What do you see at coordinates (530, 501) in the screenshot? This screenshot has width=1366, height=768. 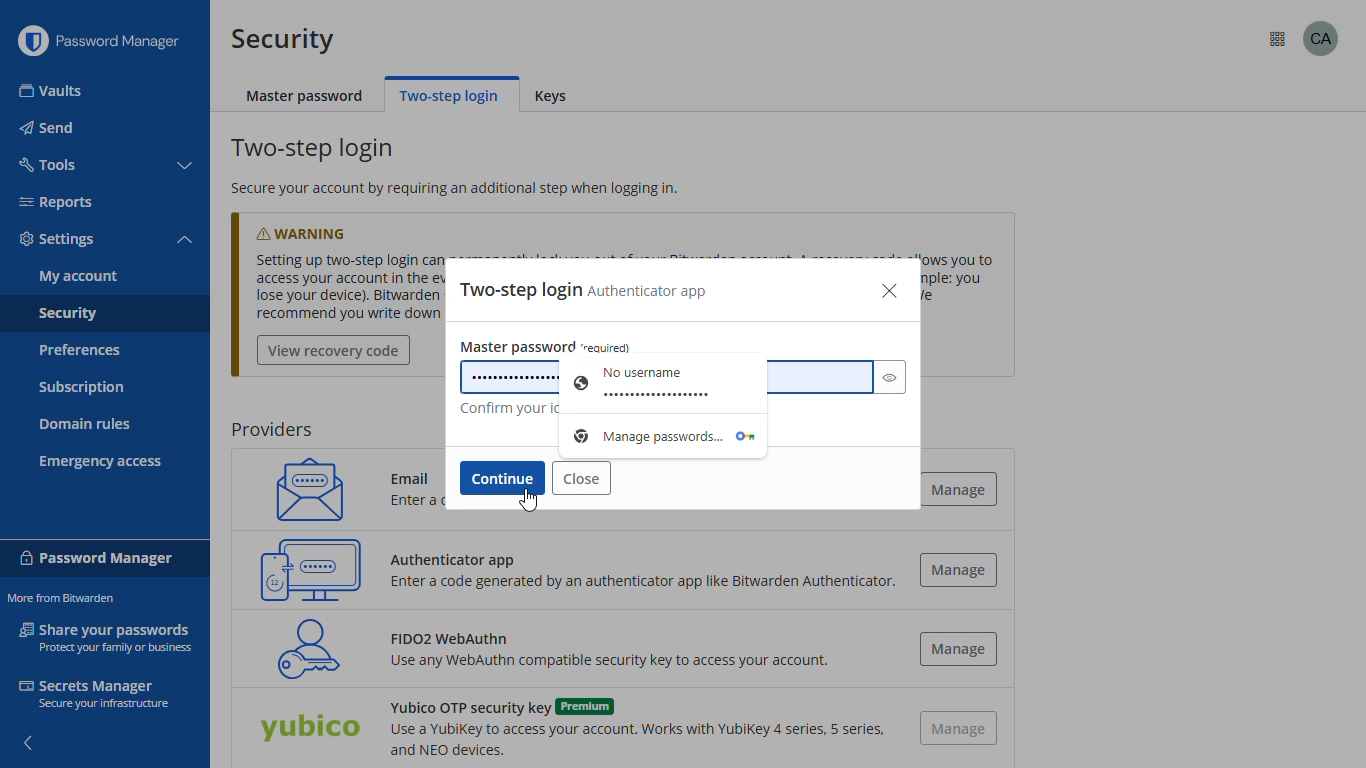 I see `cursor` at bounding box center [530, 501].